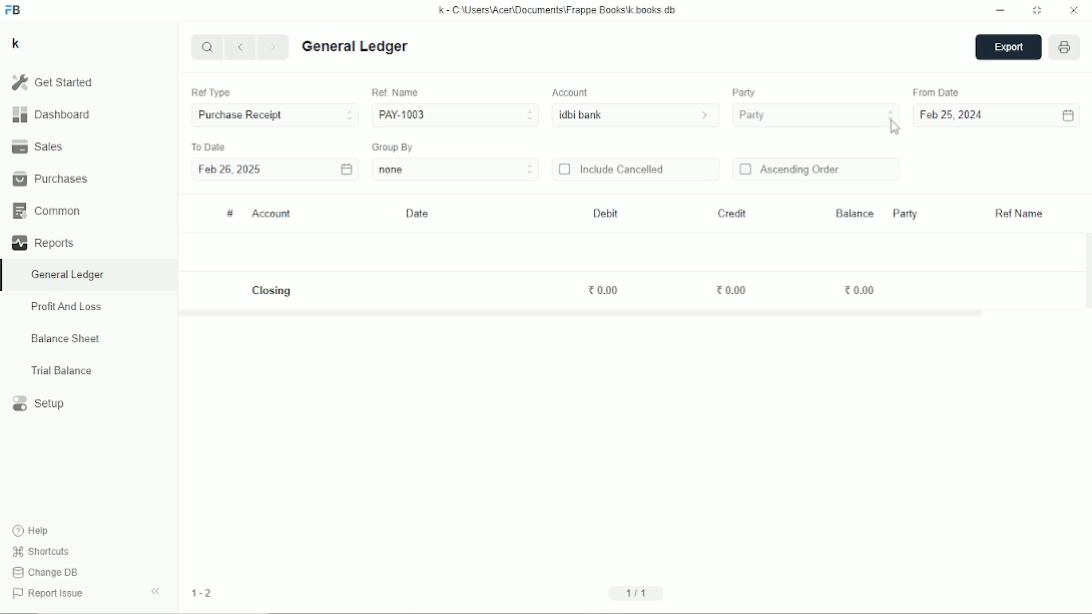  What do you see at coordinates (356, 47) in the screenshot?
I see `General ledger` at bounding box center [356, 47].